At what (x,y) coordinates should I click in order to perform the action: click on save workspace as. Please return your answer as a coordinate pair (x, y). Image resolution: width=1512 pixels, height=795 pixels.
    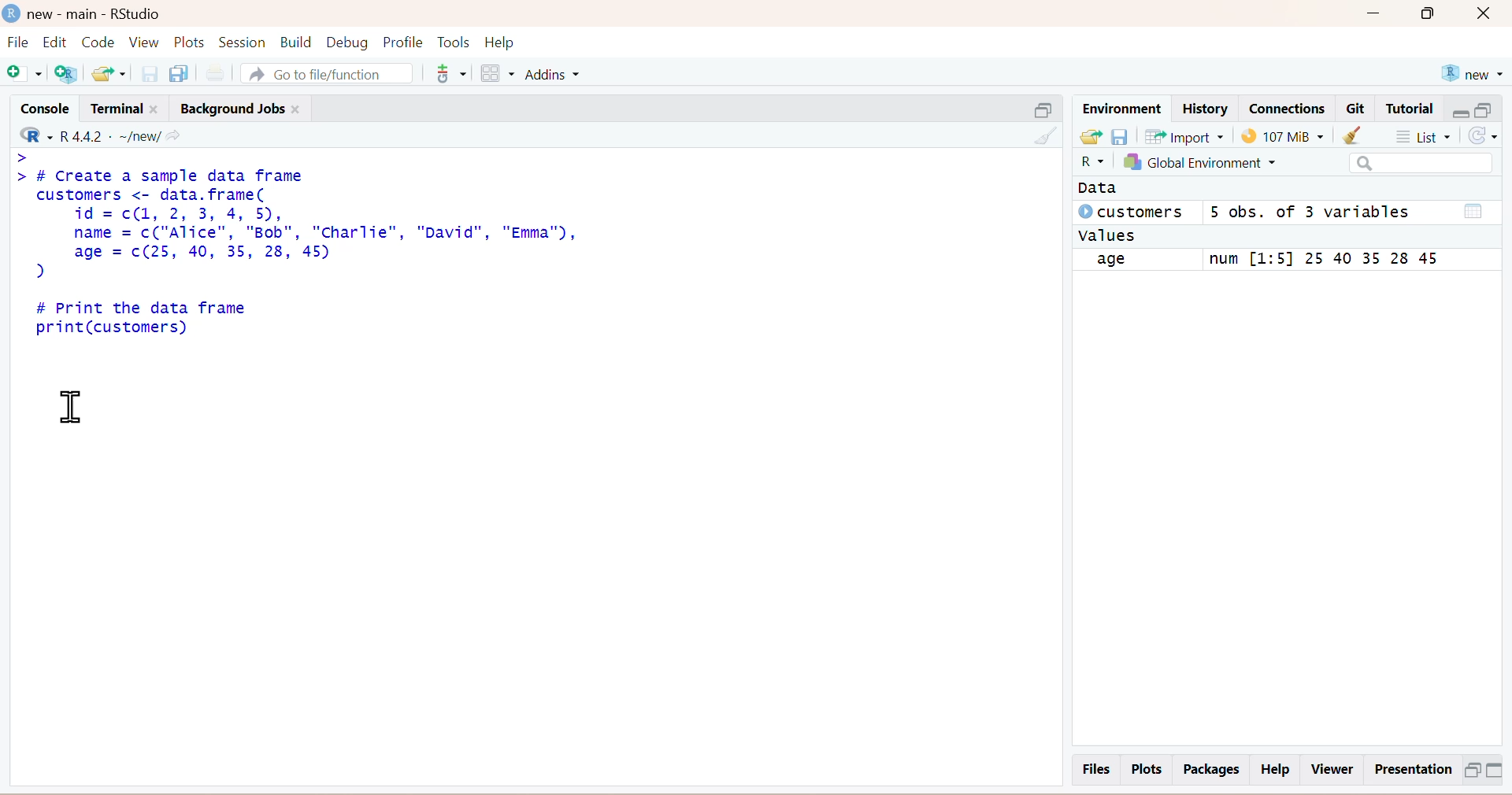
    Looking at the image, I should click on (1121, 135).